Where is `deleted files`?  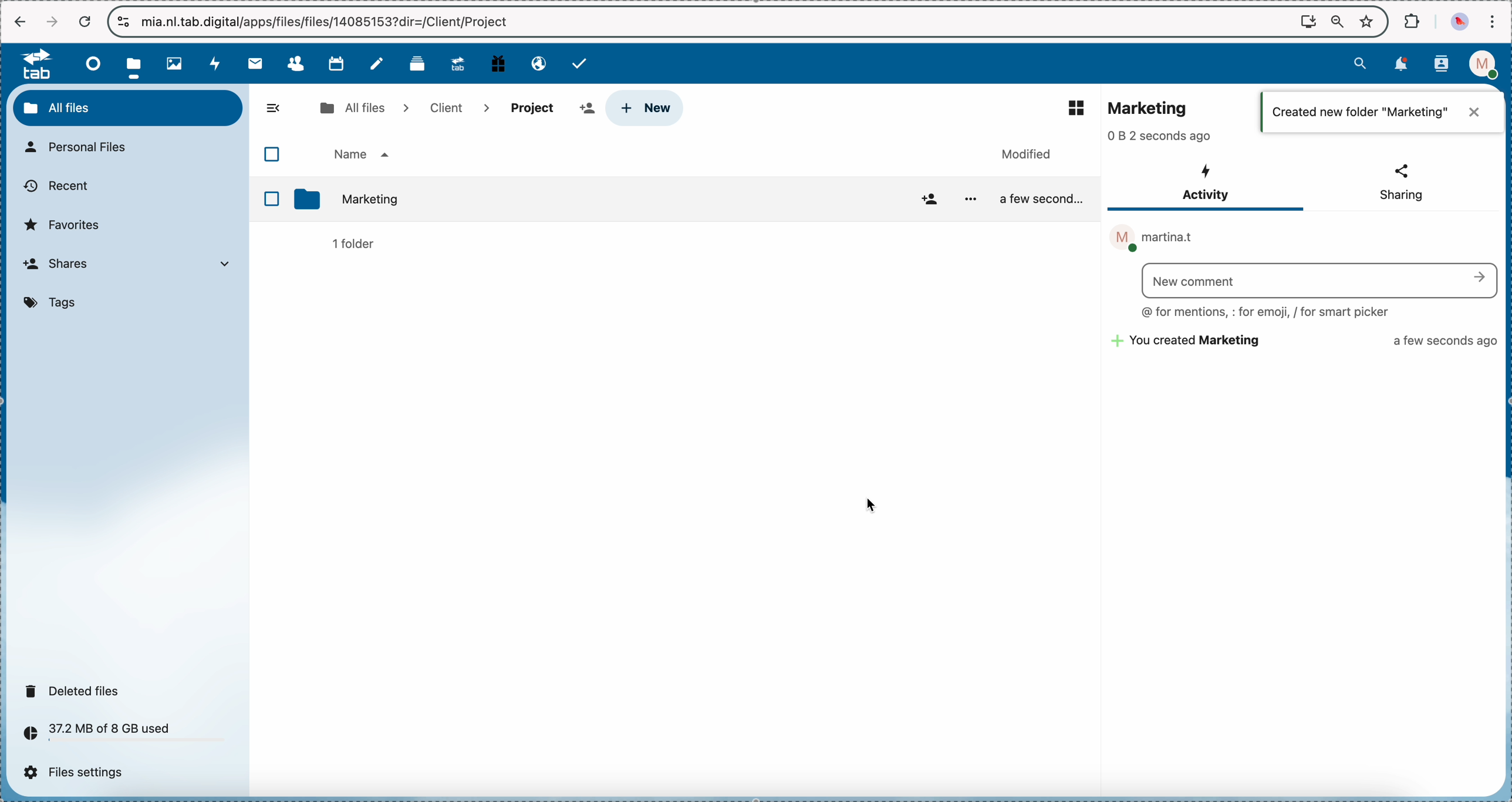 deleted files is located at coordinates (76, 690).